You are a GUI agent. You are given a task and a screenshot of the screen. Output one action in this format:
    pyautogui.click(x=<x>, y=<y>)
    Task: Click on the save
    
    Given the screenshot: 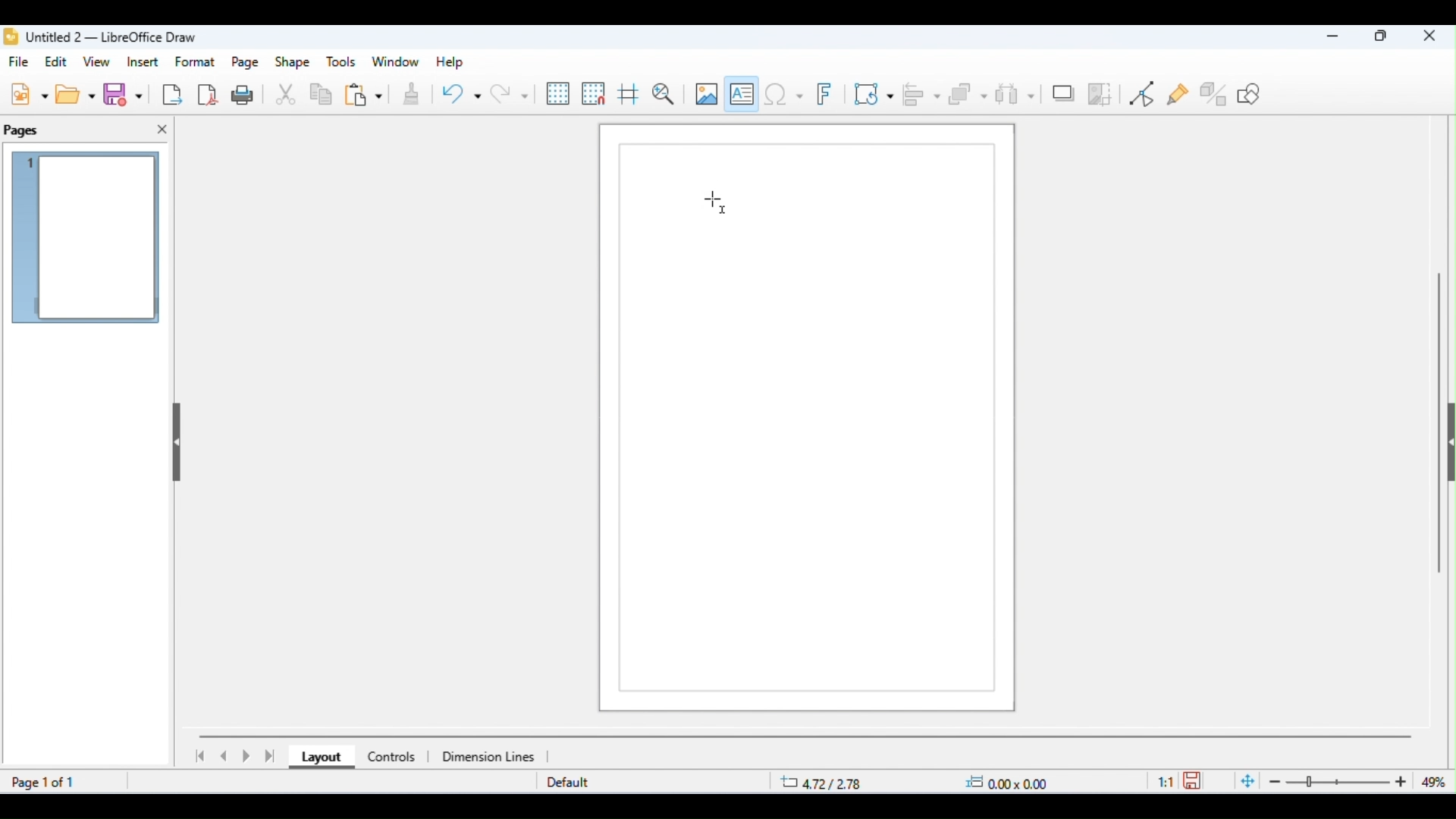 What is the action you would take?
    pyautogui.click(x=1195, y=780)
    